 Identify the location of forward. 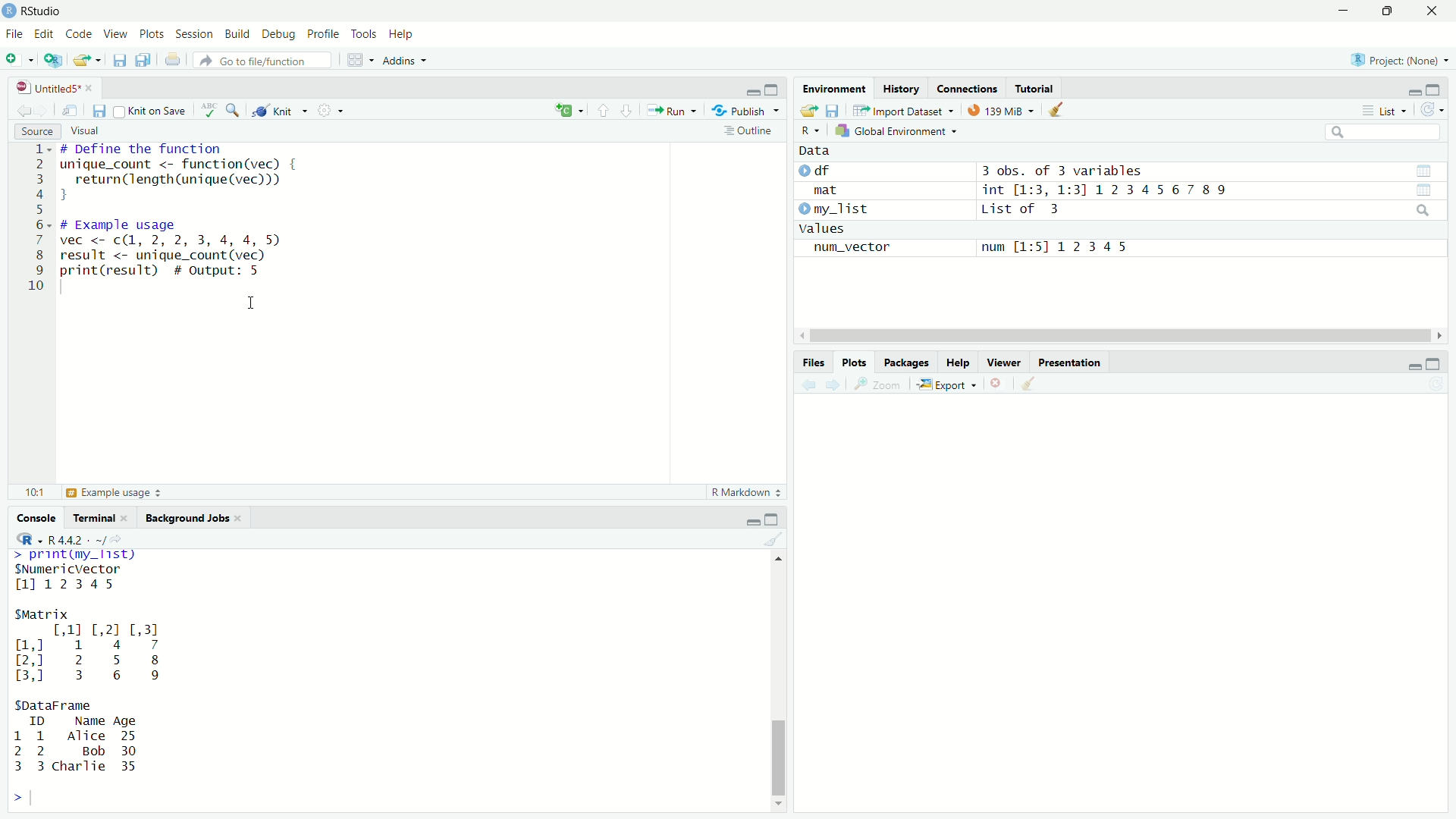
(838, 385).